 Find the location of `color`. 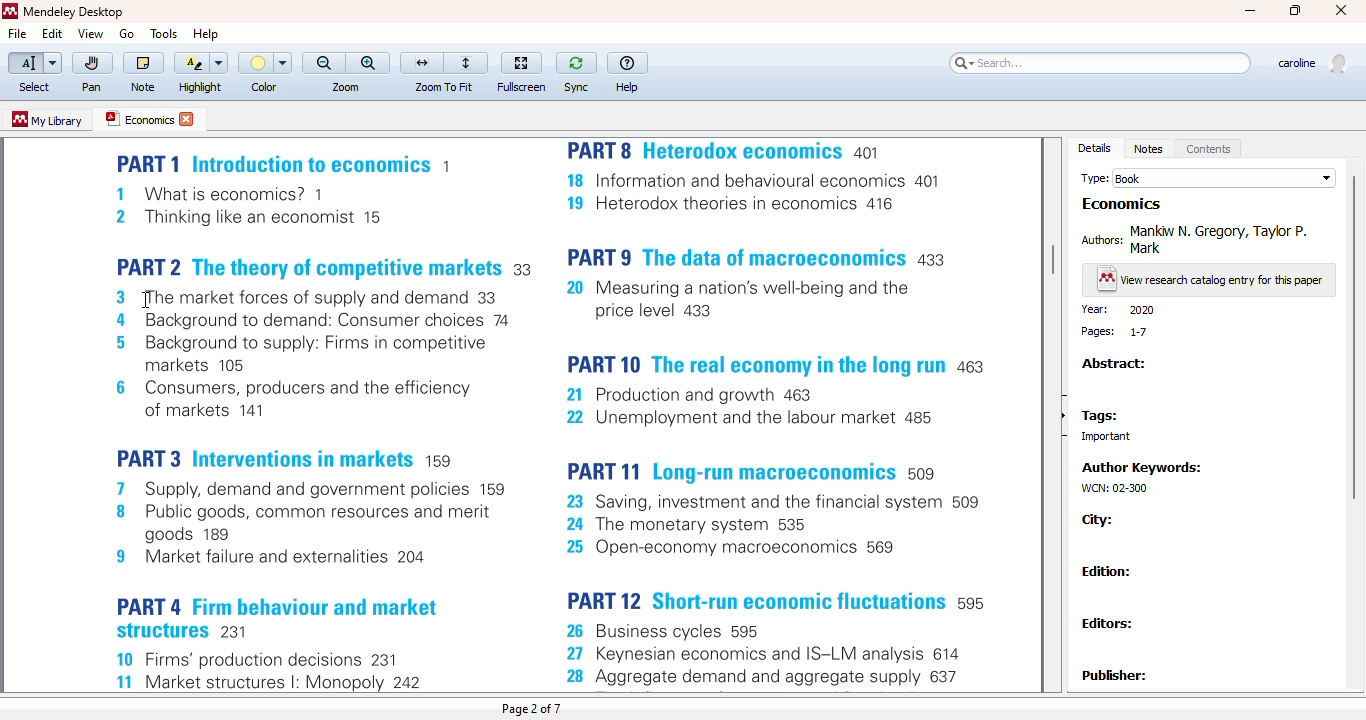

color is located at coordinates (264, 87).